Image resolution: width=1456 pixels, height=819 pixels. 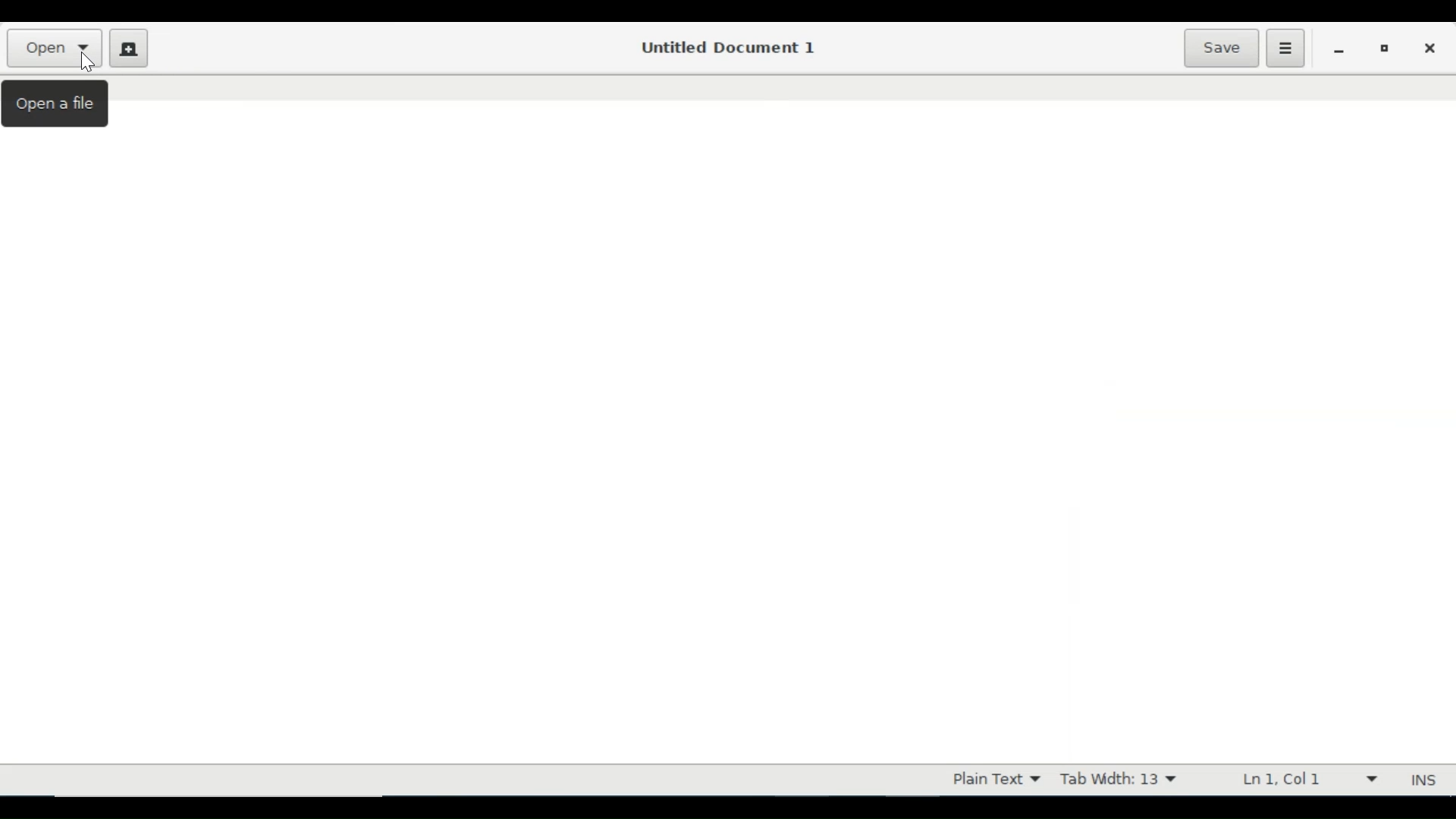 I want to click on Untitled Document , so click(x=725, y=47).